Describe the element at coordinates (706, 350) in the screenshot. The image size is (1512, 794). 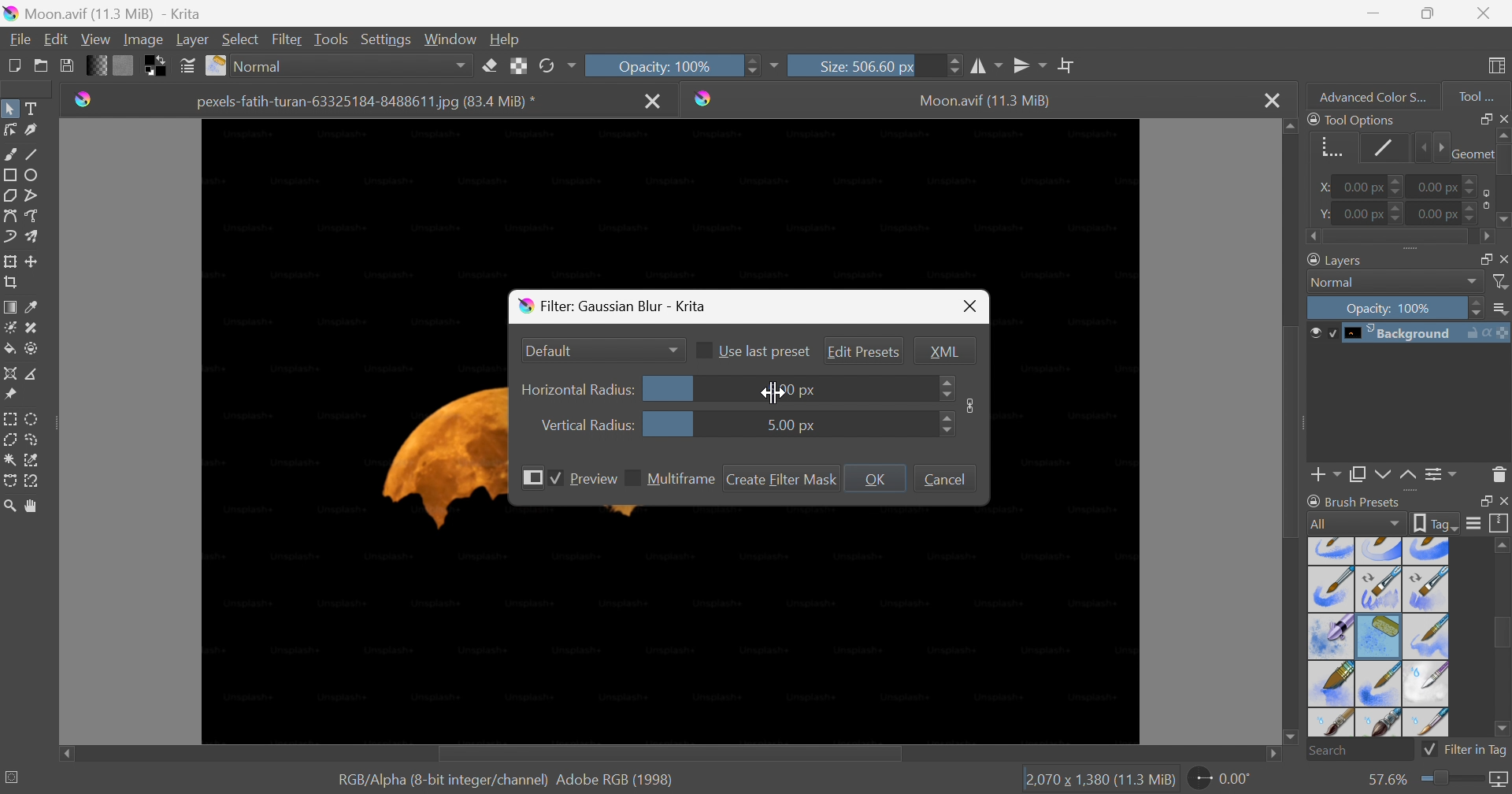
I see `Checkbox` at that location.